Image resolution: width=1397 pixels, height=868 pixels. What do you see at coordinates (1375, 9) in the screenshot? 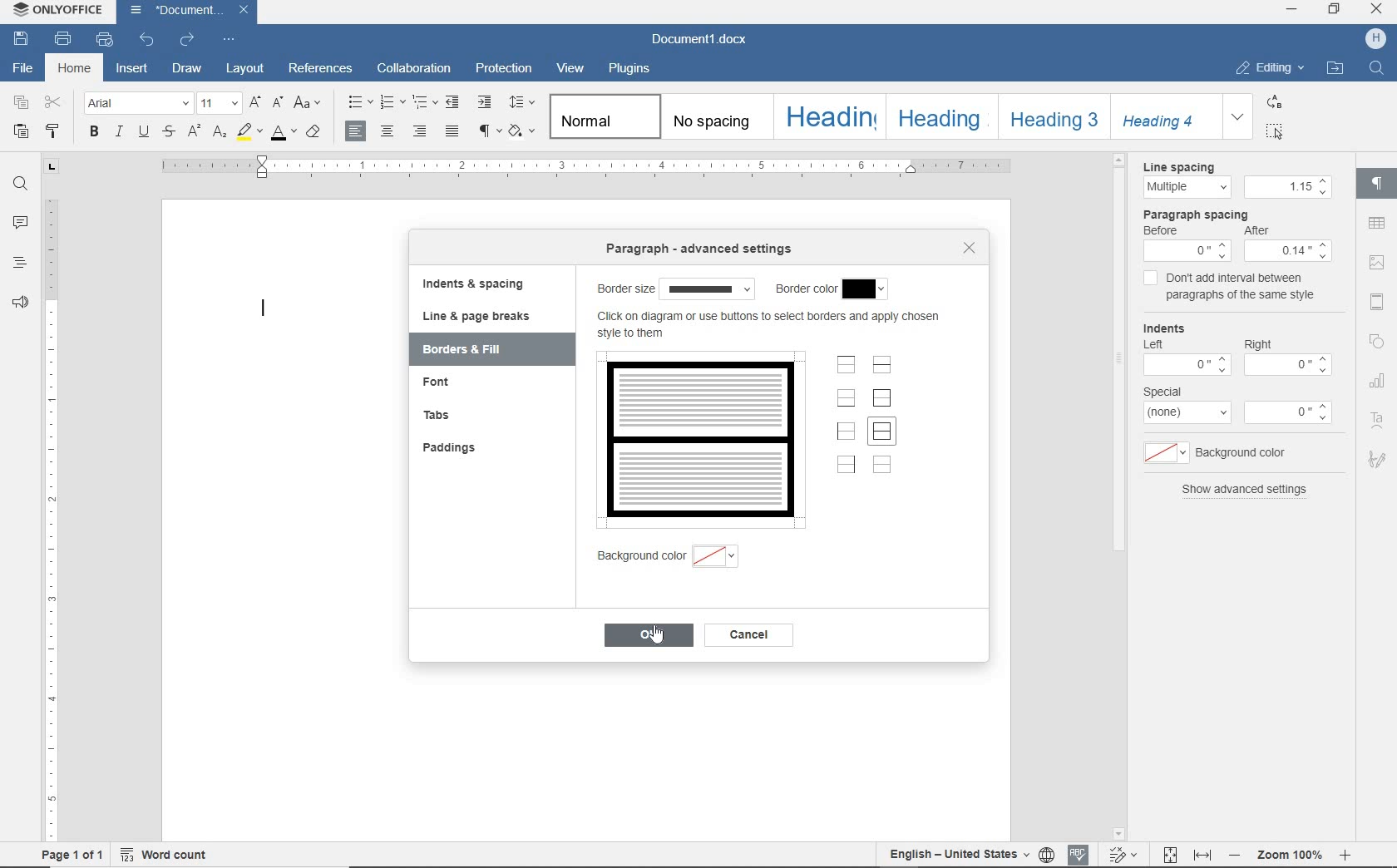
I see `CLOSE` at bounding box center [1375, 9].